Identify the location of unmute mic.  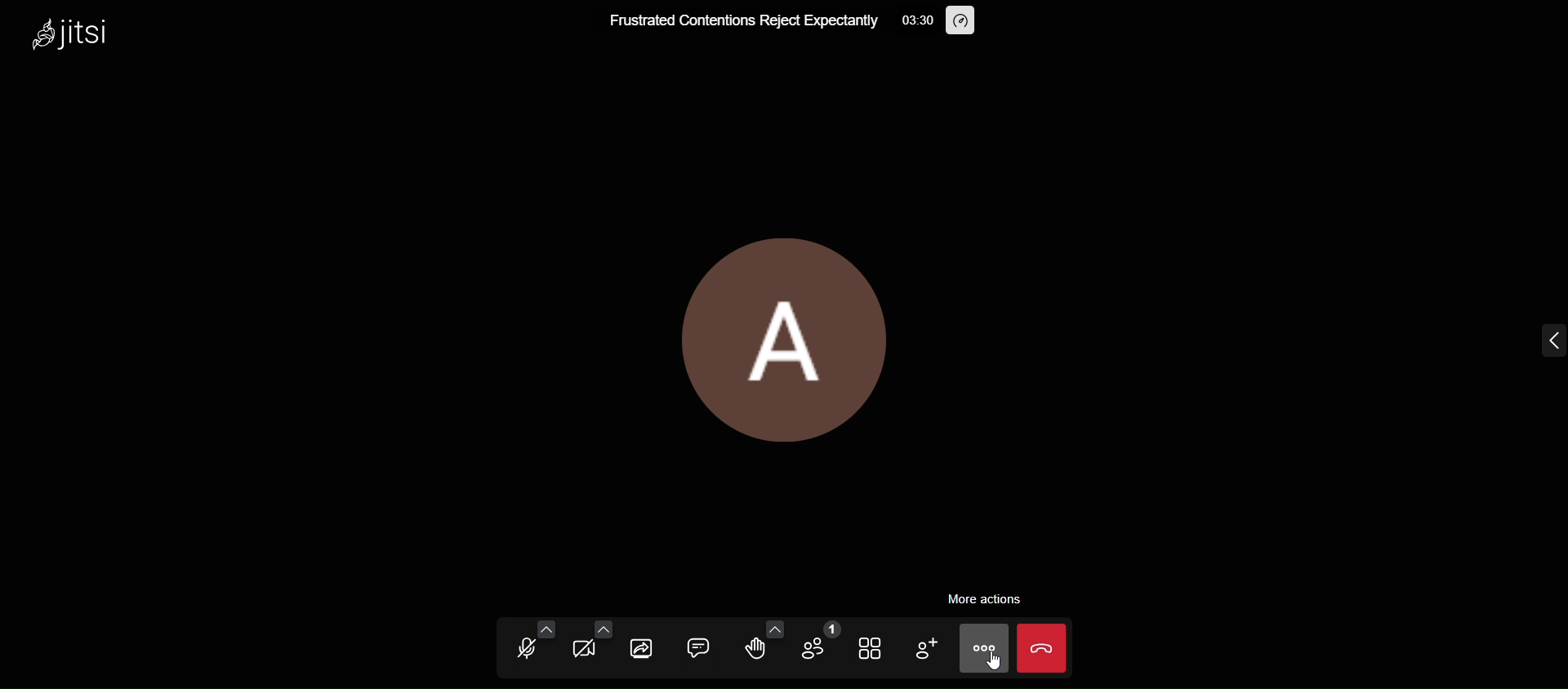
(524, 651).